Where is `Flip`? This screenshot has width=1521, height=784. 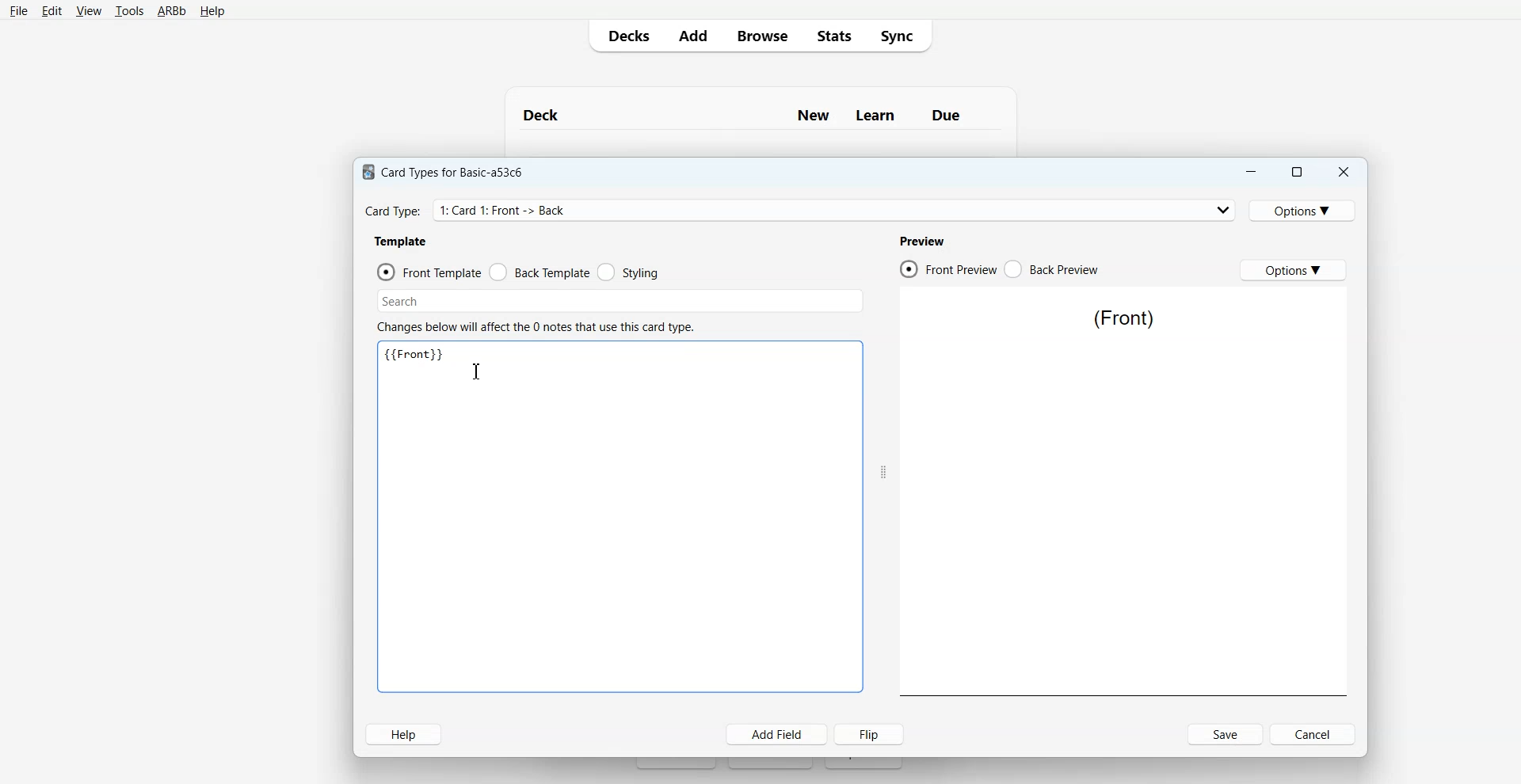
Flip is located at coordinates (872, 733).